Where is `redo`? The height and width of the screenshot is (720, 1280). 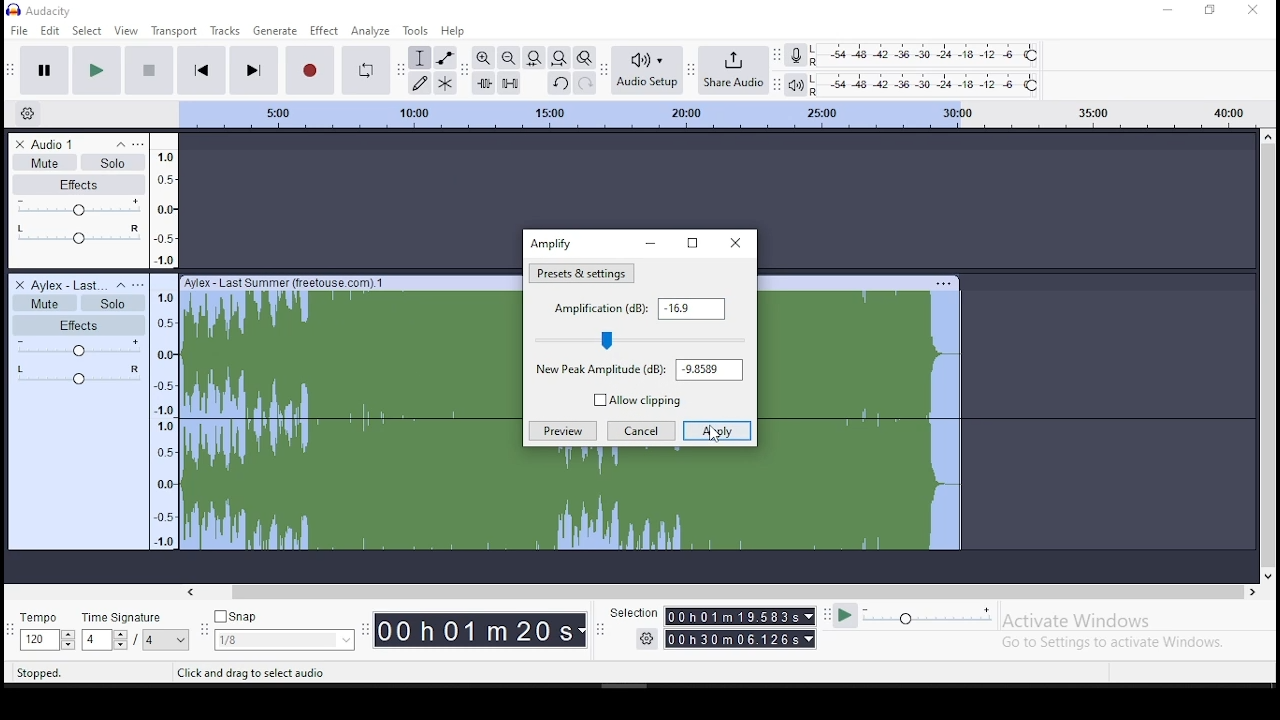
redo is located at coordinates (584, 83).